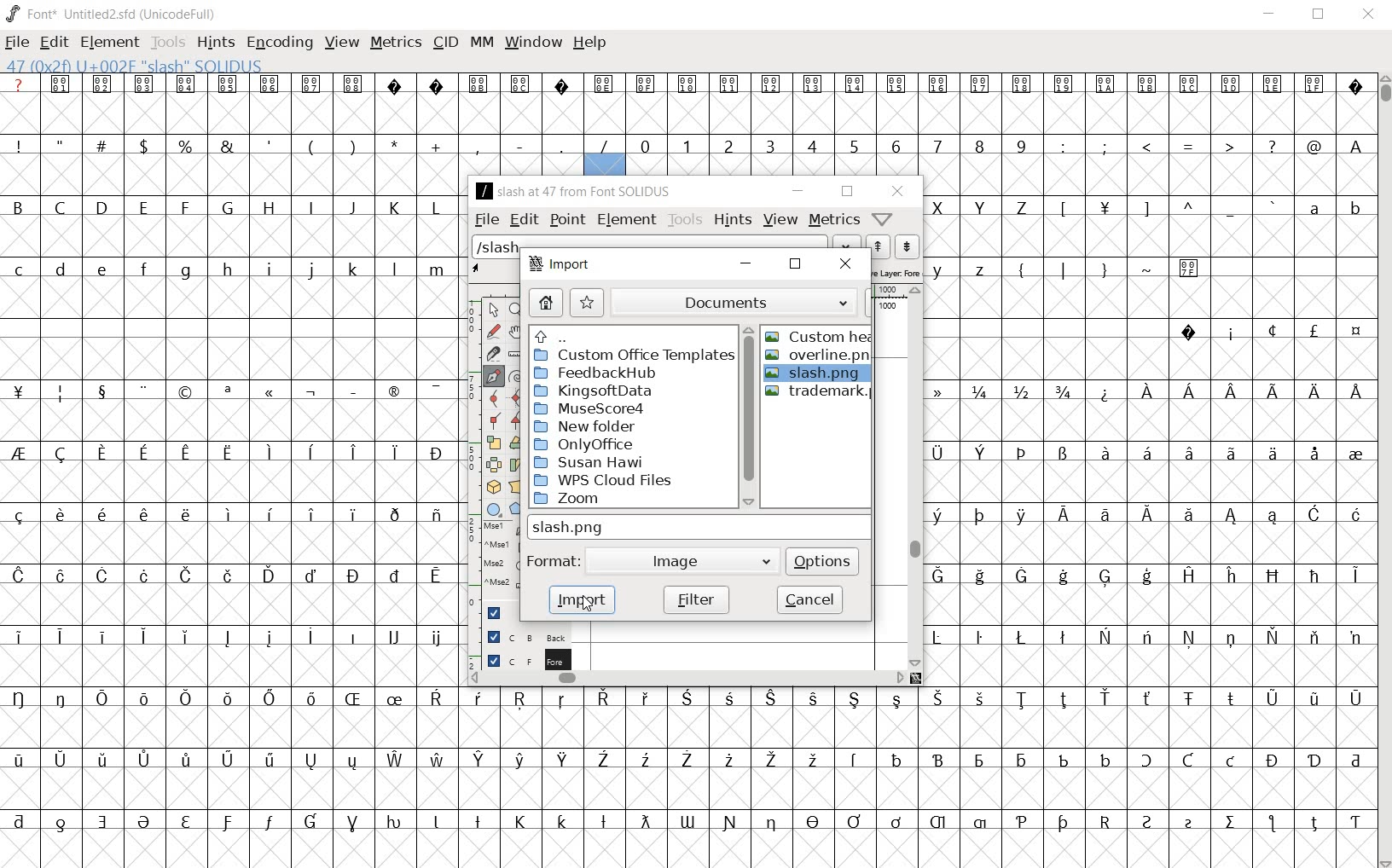  Describe the element at coordinates (897, 271) in the screenshot. I see `active layer` at that location.